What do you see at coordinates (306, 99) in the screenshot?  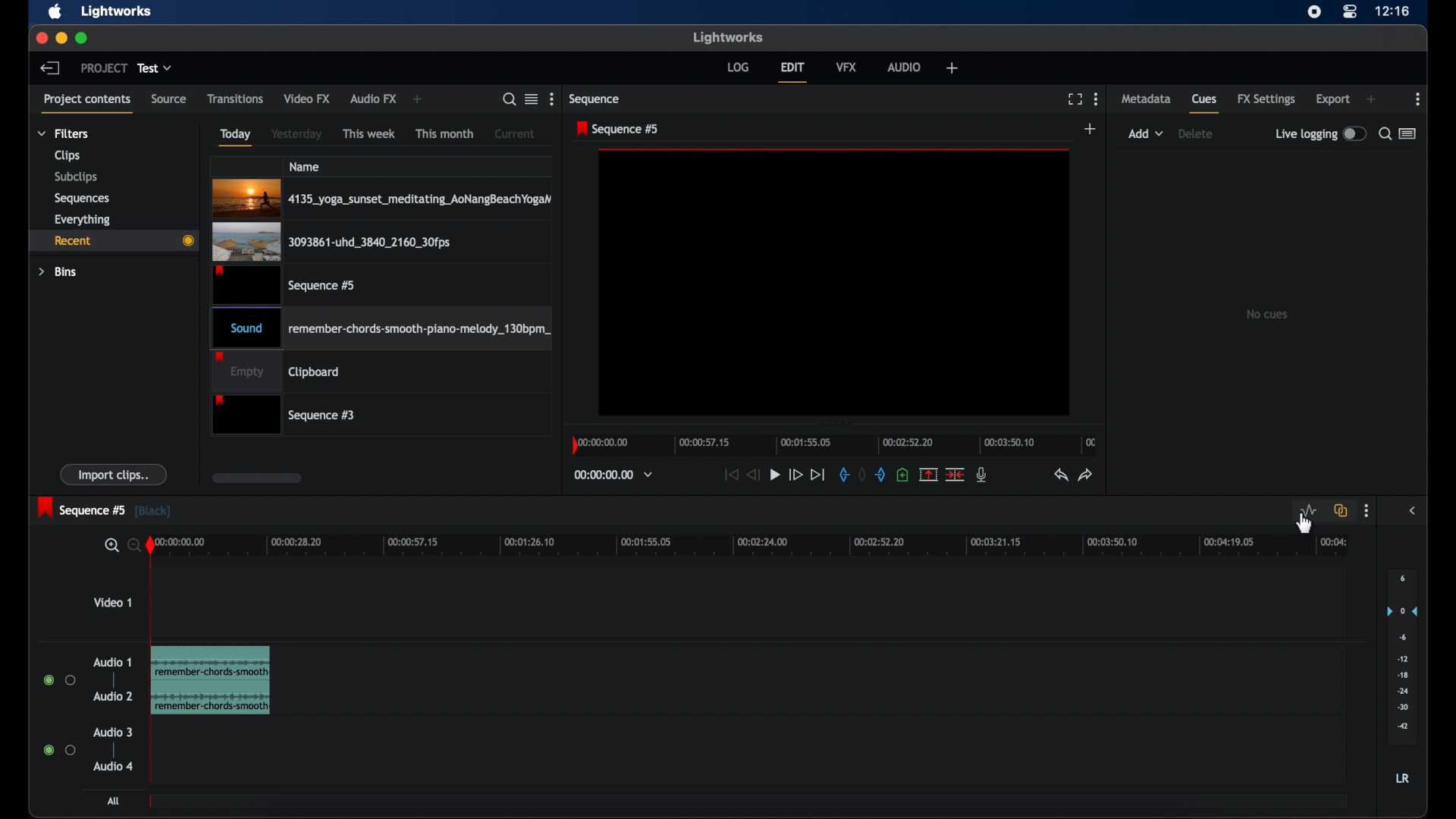 I see `video fx` at bounding box center [306, 99].